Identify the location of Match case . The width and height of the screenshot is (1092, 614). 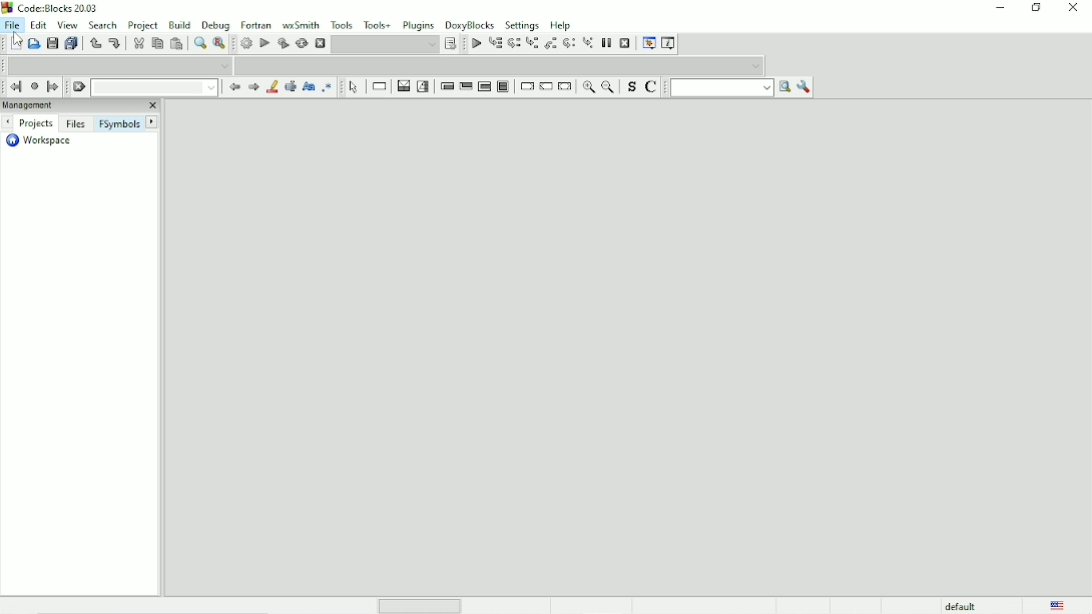
(309, 87).